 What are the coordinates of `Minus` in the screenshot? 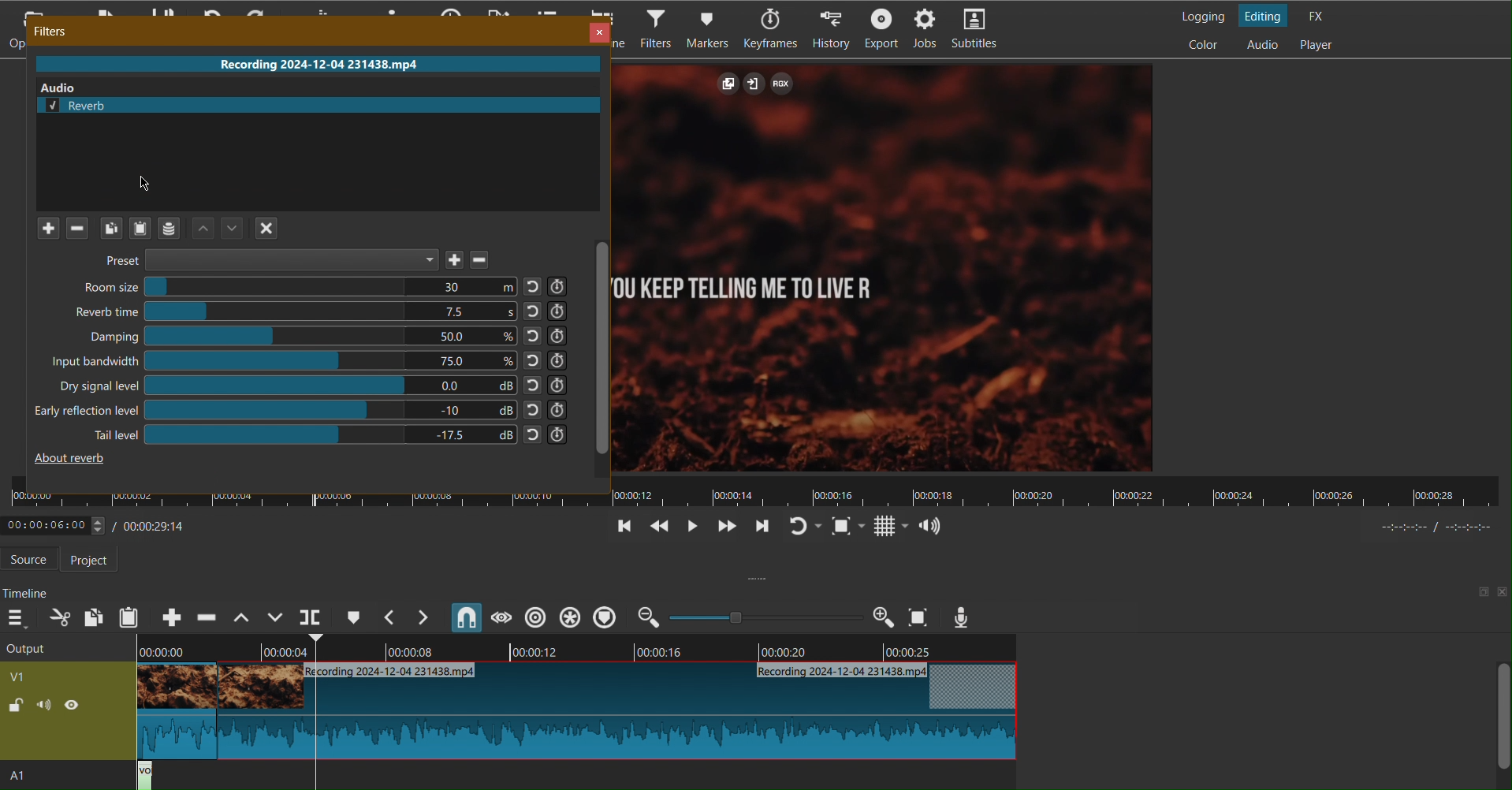 It's located at (78, 229).